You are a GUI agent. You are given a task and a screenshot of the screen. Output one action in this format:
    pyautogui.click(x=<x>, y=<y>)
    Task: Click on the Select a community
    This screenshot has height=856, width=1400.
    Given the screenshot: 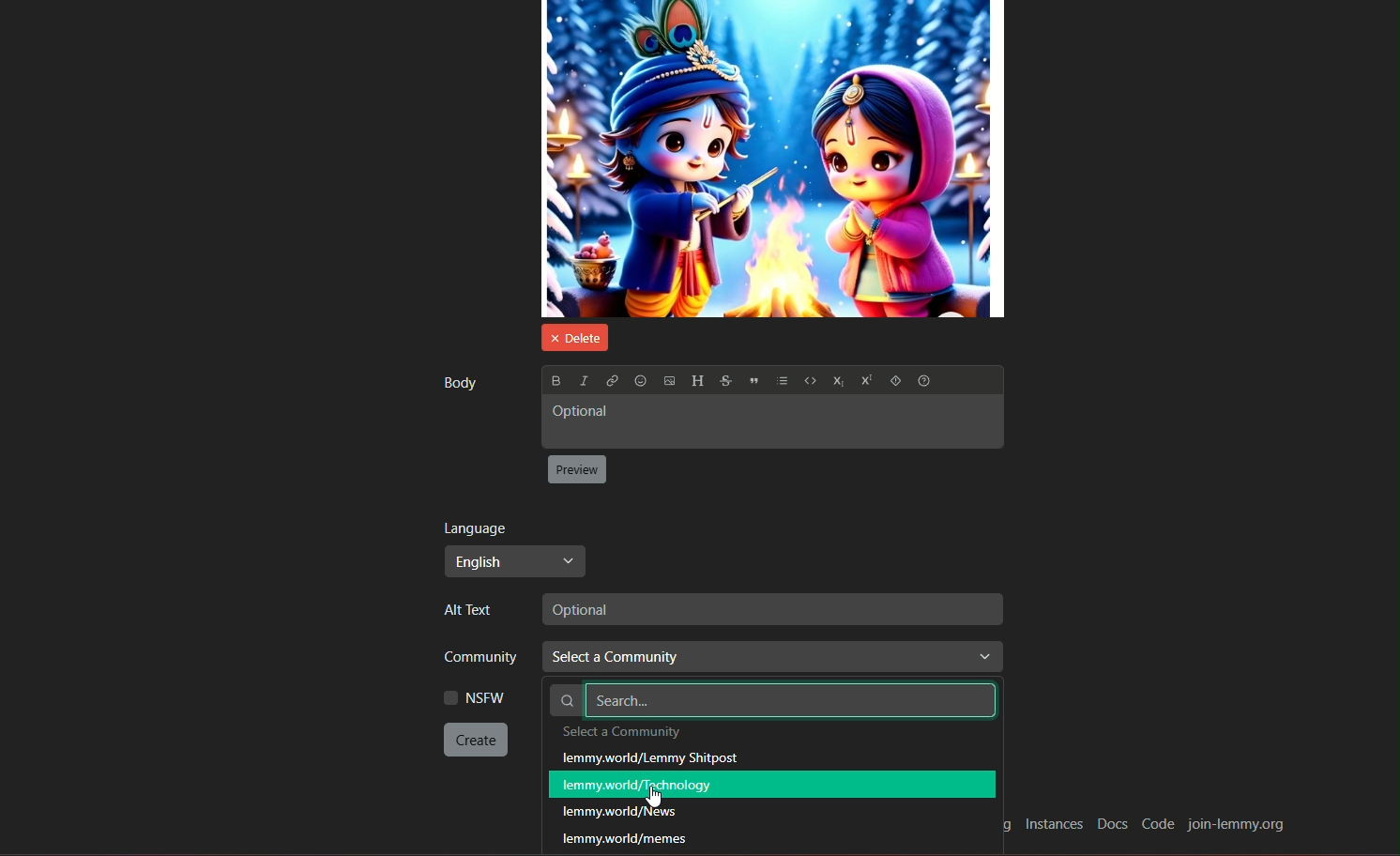 What is the action you would take?
    pyautogui.click(x=657, y=734)
    